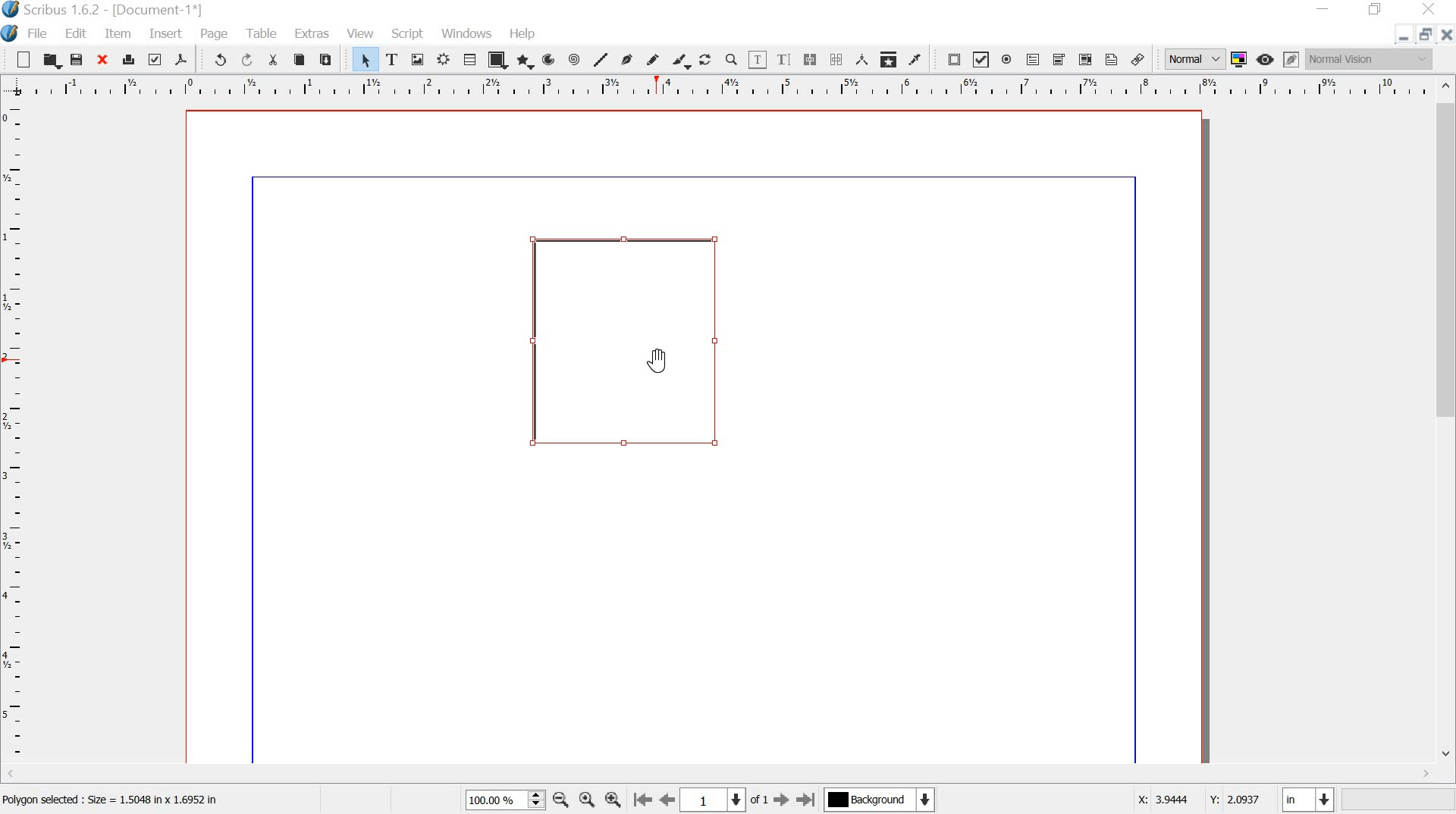 The image size is (1456, 814). Describe the element at coordinates (1084, 60) in the screenshot. I see `pdf list box` at that location.